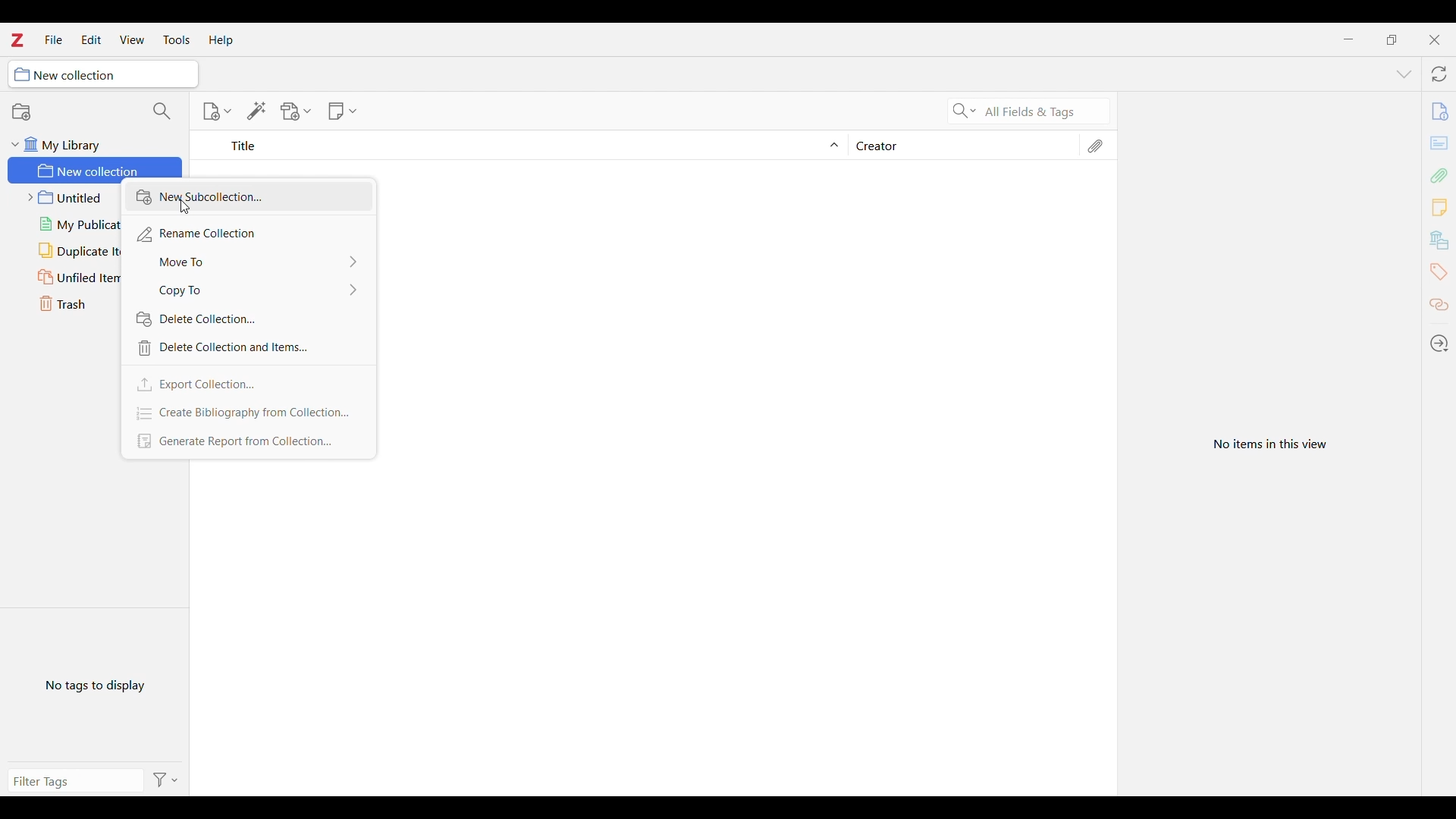 This screenshot has height=819, width=1456. I want to click on Minimize, so click(1348, 39).